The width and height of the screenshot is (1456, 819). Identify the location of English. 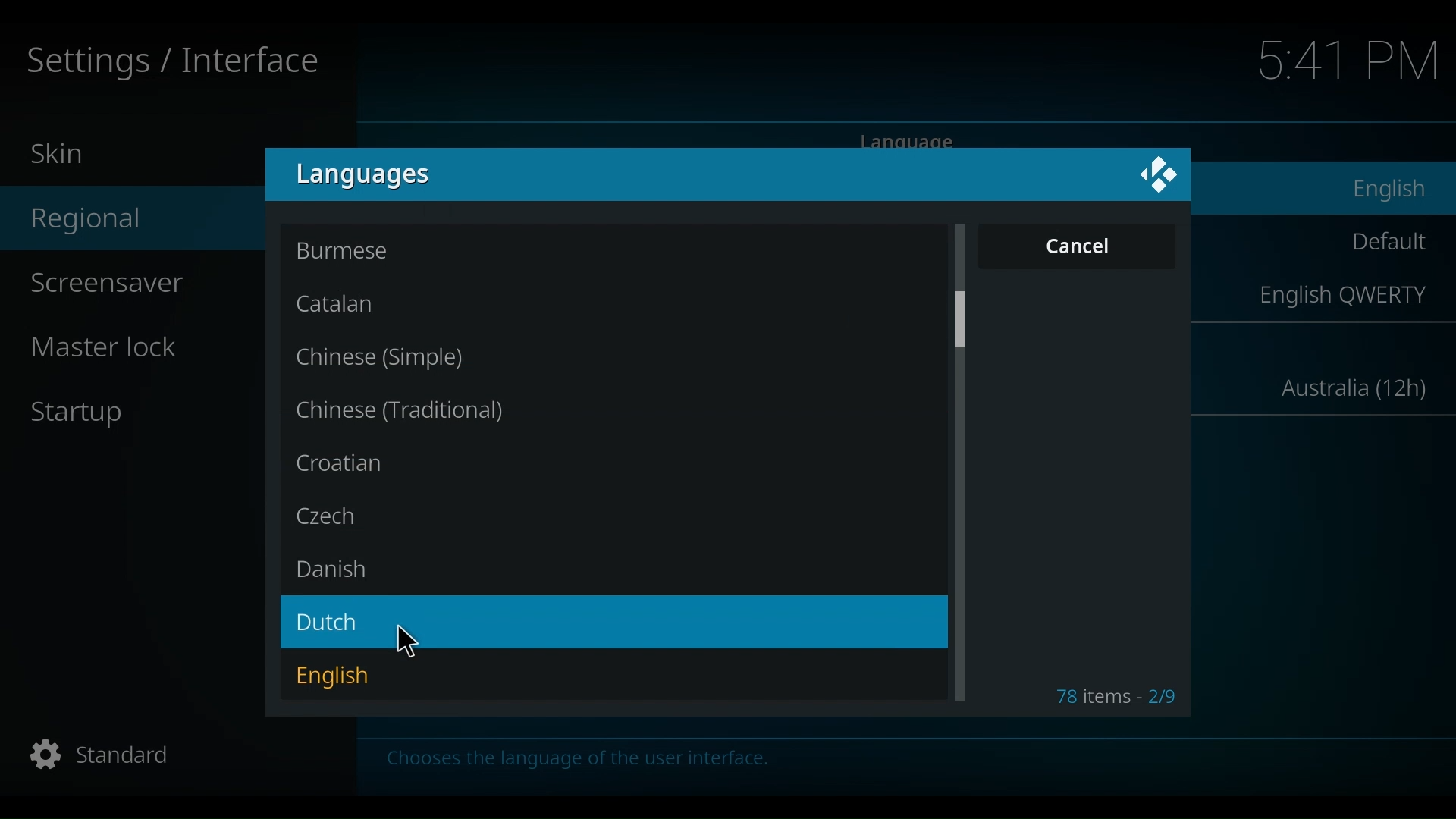
(1390, 191).